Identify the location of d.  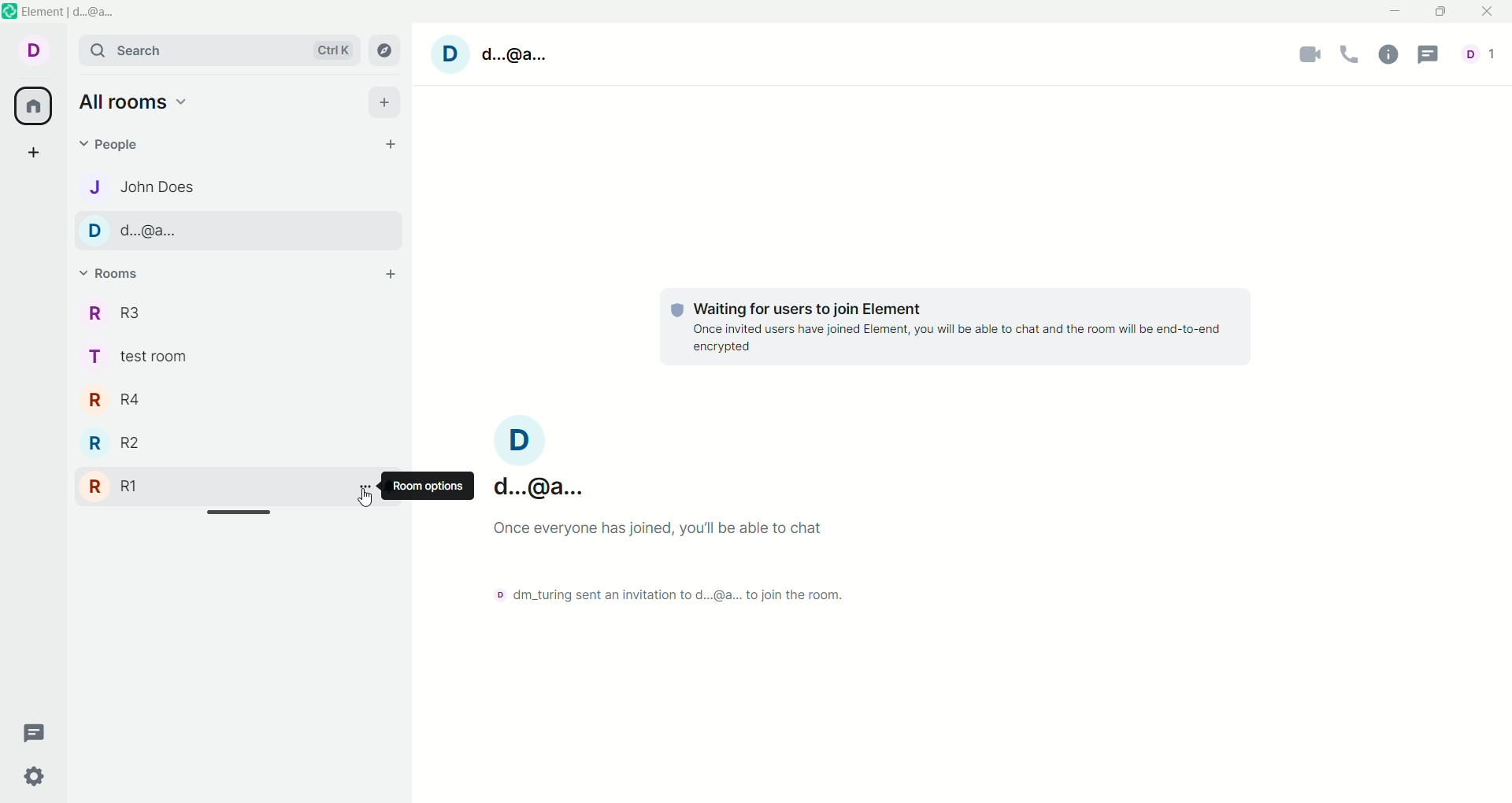
(31, 54).